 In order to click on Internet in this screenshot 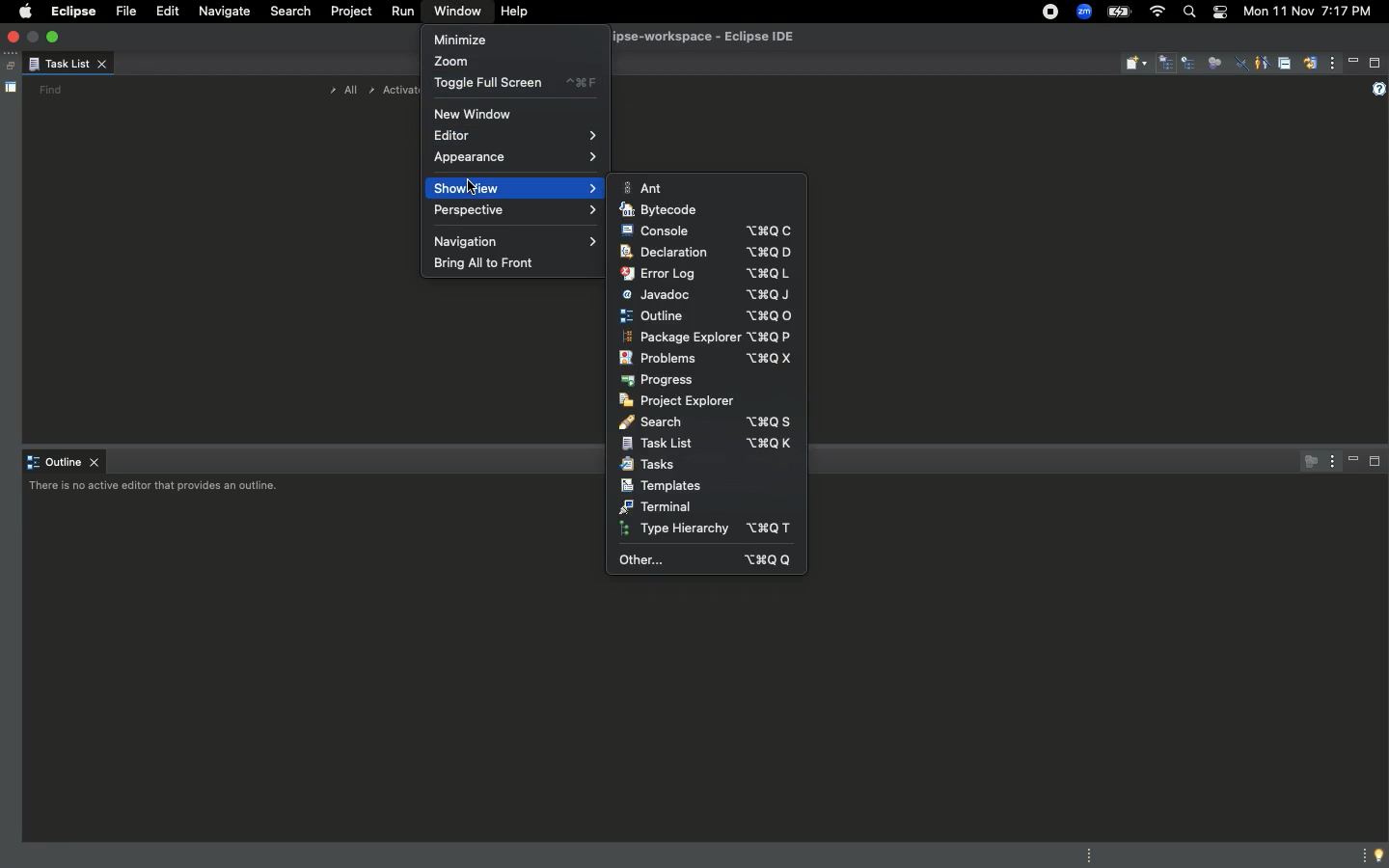, I will do `click(1156, 12)`.